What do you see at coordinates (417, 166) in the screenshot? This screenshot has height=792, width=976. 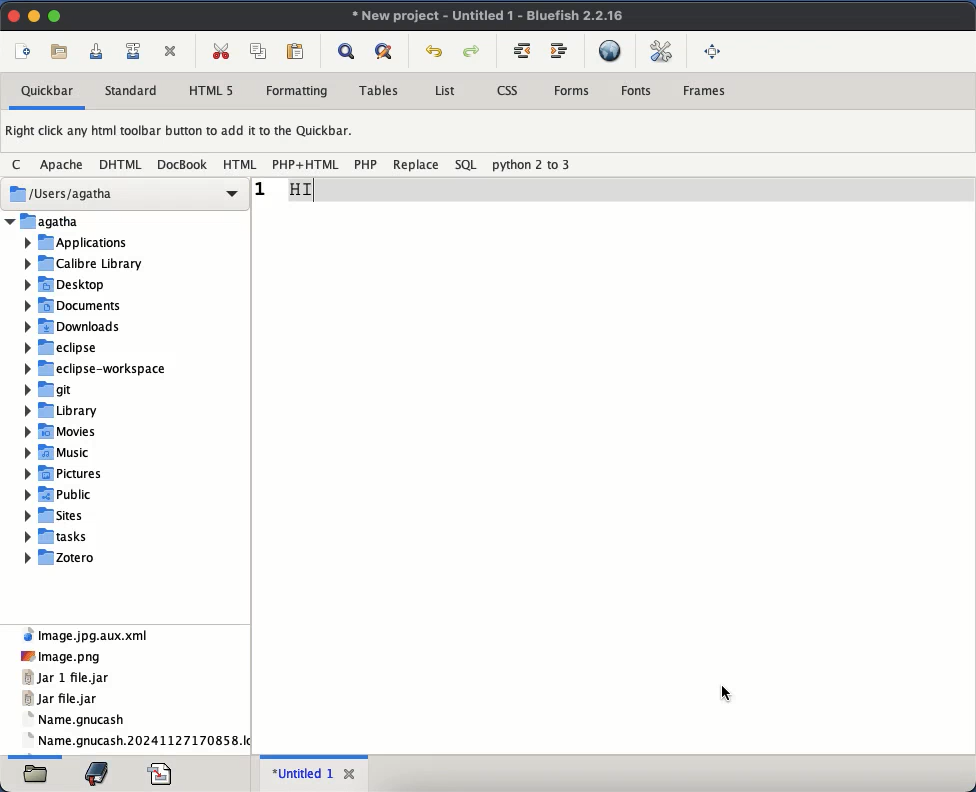 I see `replace` at bounding box center [417, 166].